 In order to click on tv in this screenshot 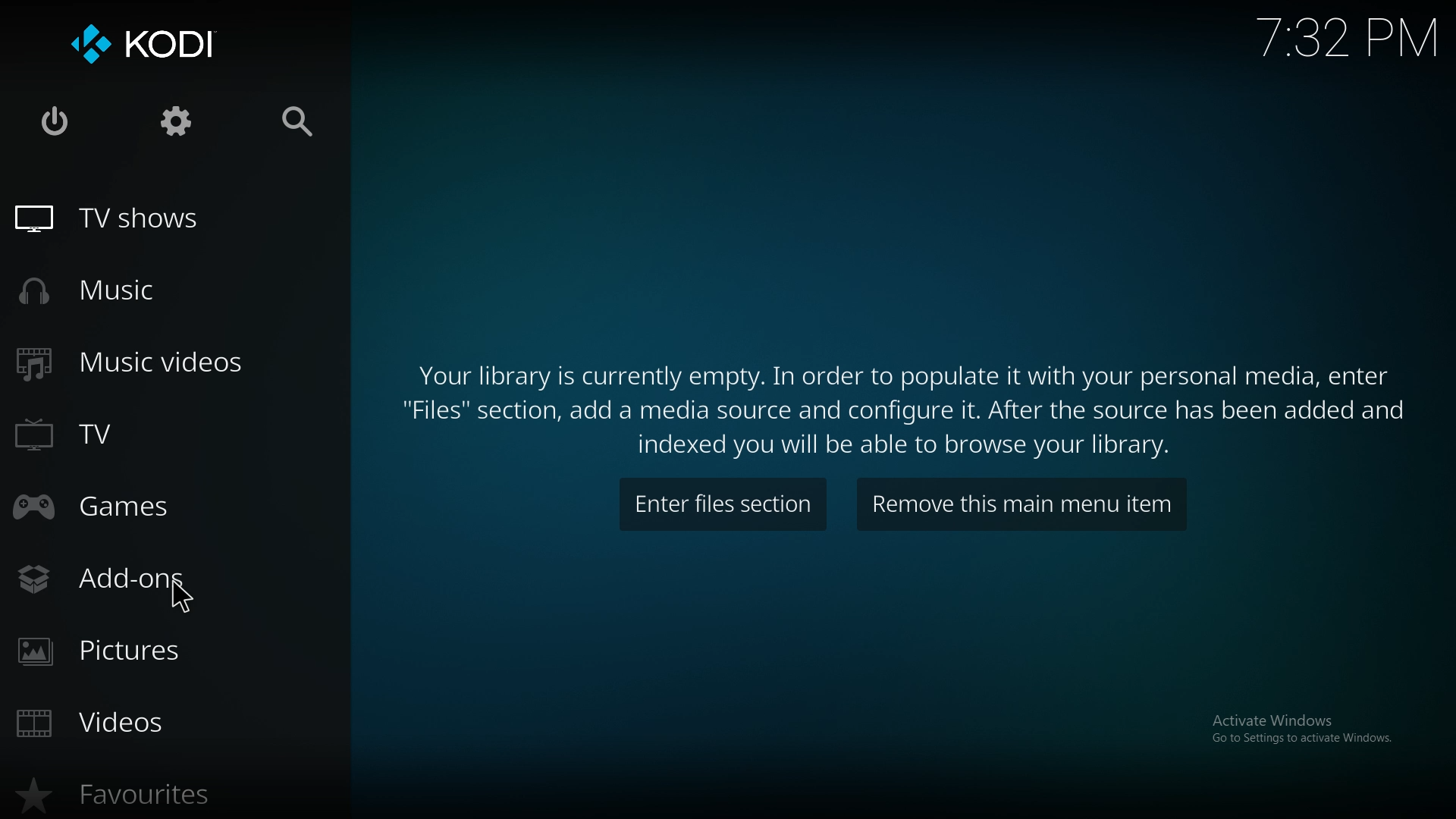, I will do `click(137, 435)`.